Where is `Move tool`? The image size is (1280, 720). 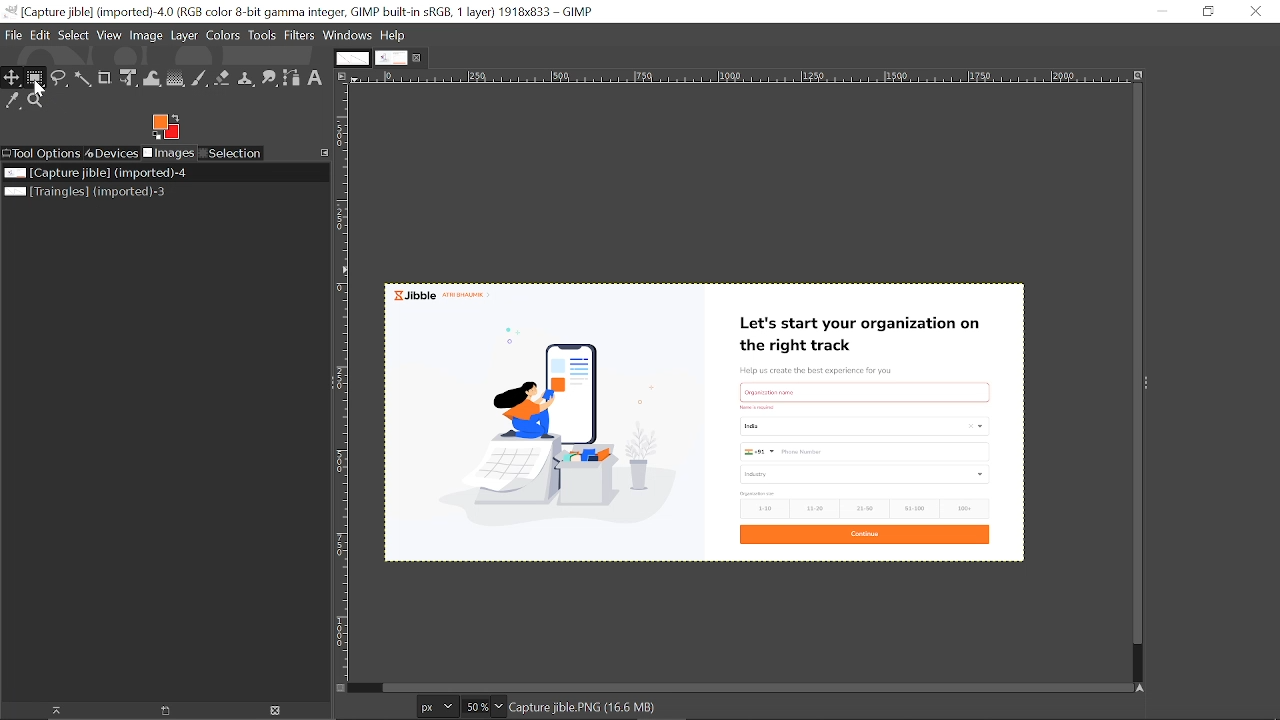 Move tool is located at coordinates (13, 78).